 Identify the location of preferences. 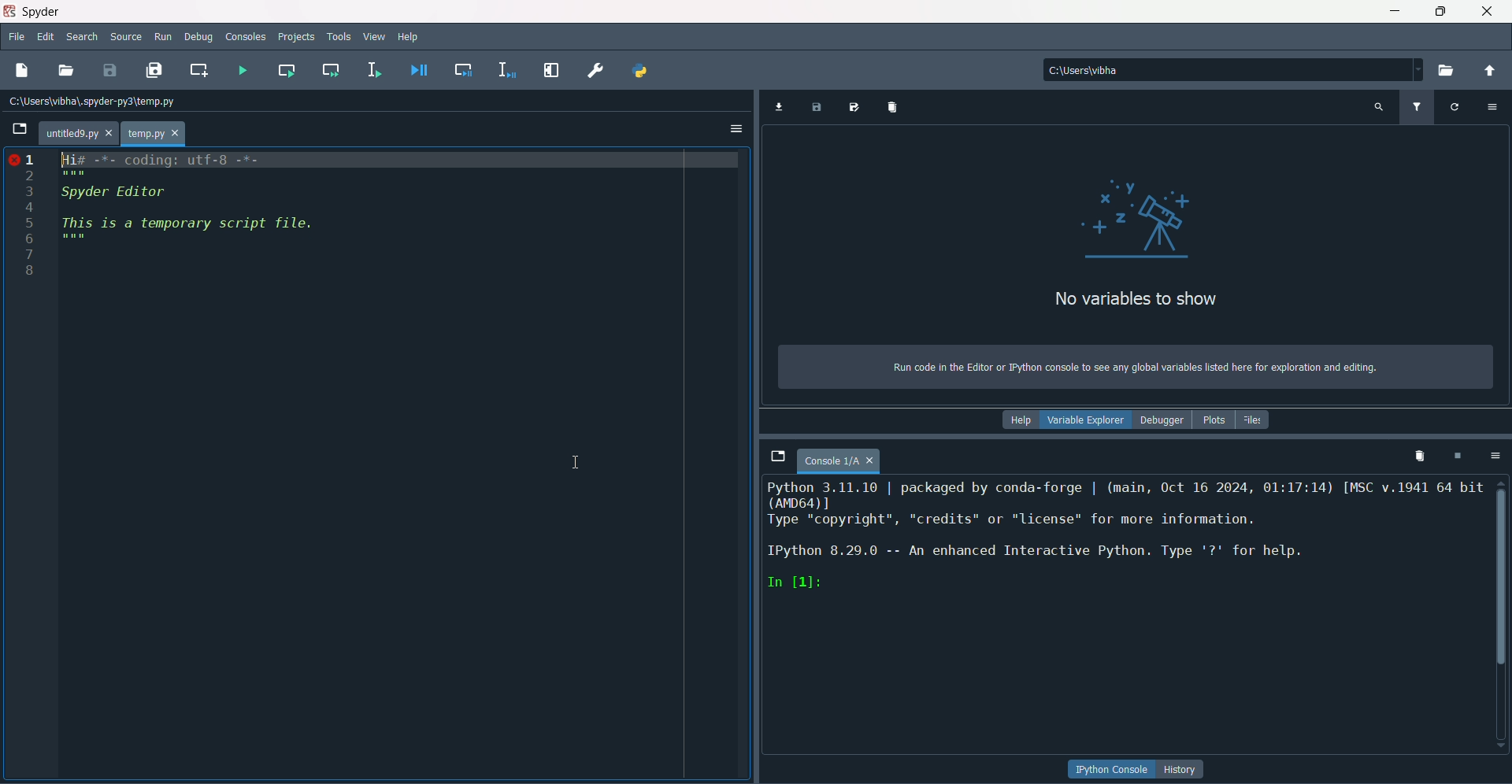
(596, 72).